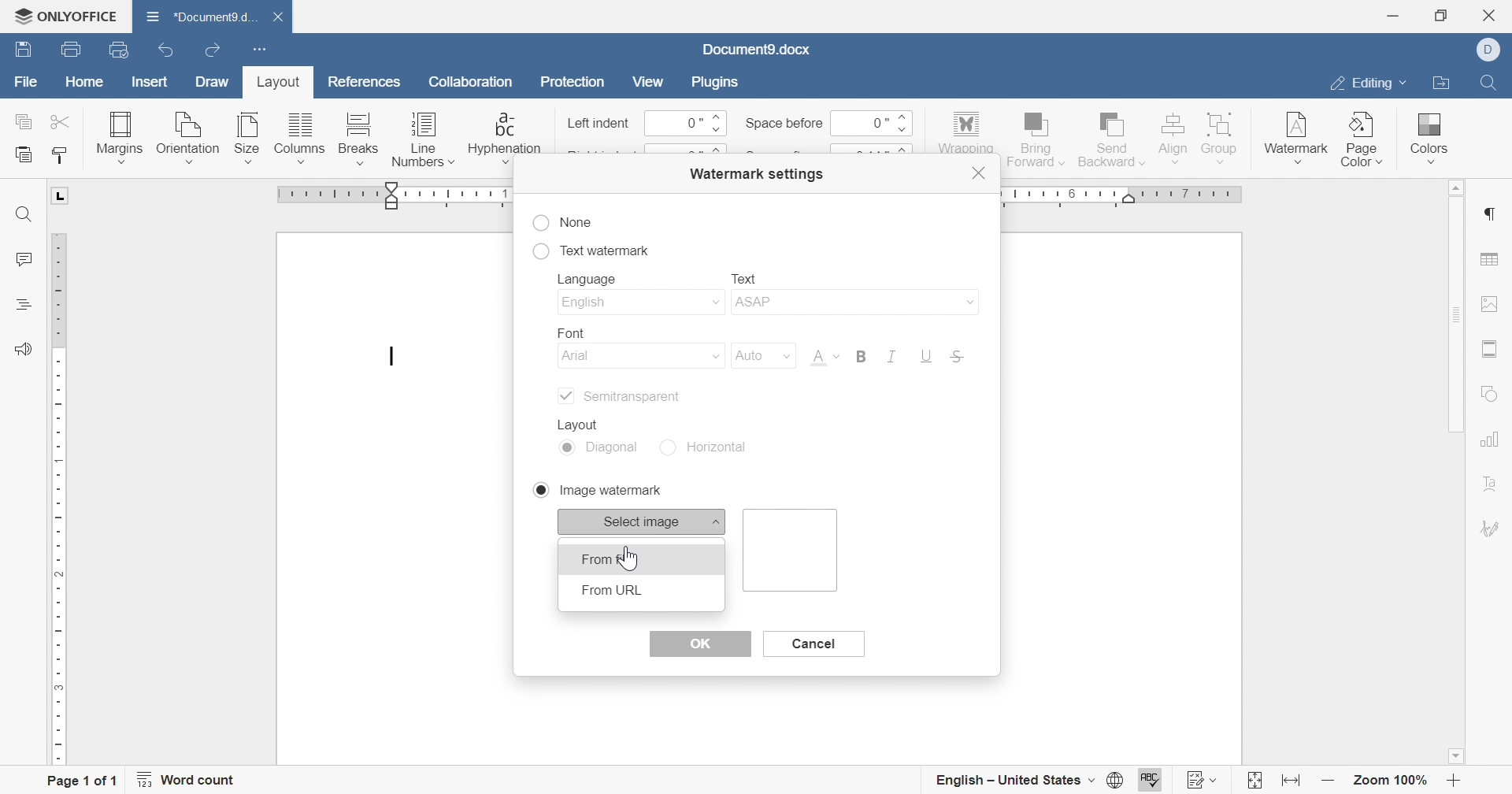 Image resolution: width=1512 pixels, height=794 pixels. I want to click on find, so click(24, 215).